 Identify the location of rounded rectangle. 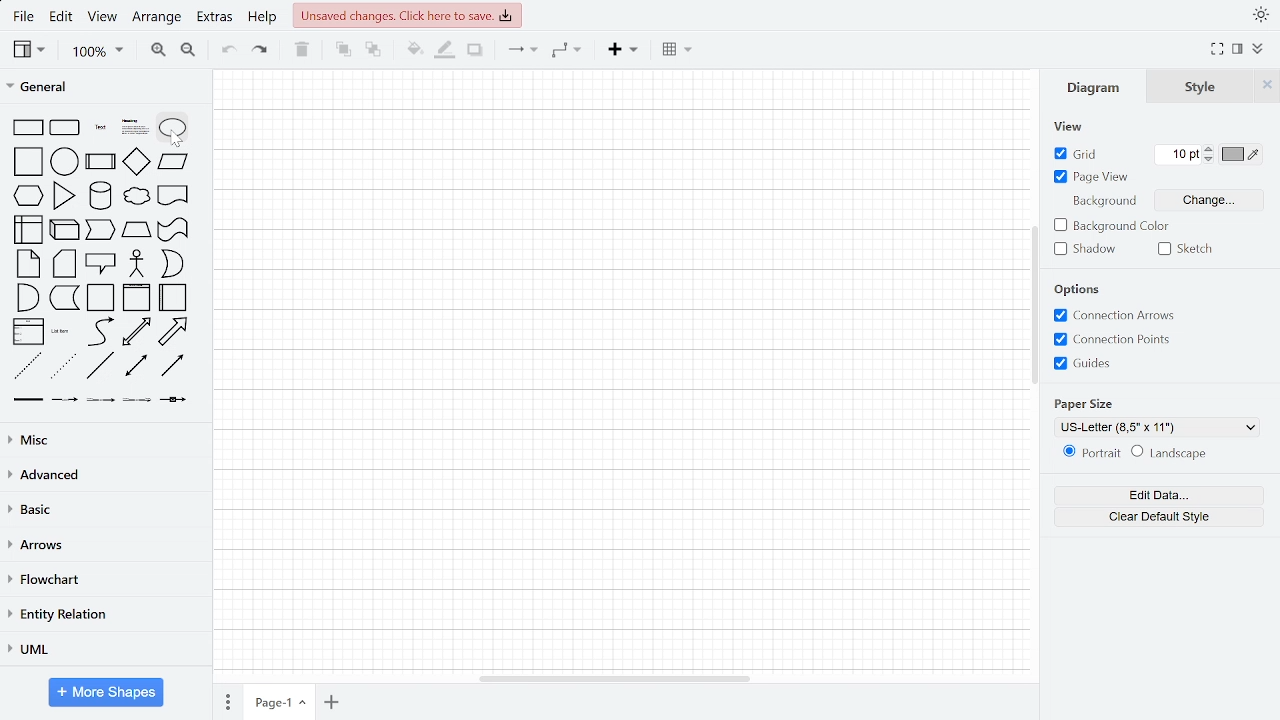
(66, 128).